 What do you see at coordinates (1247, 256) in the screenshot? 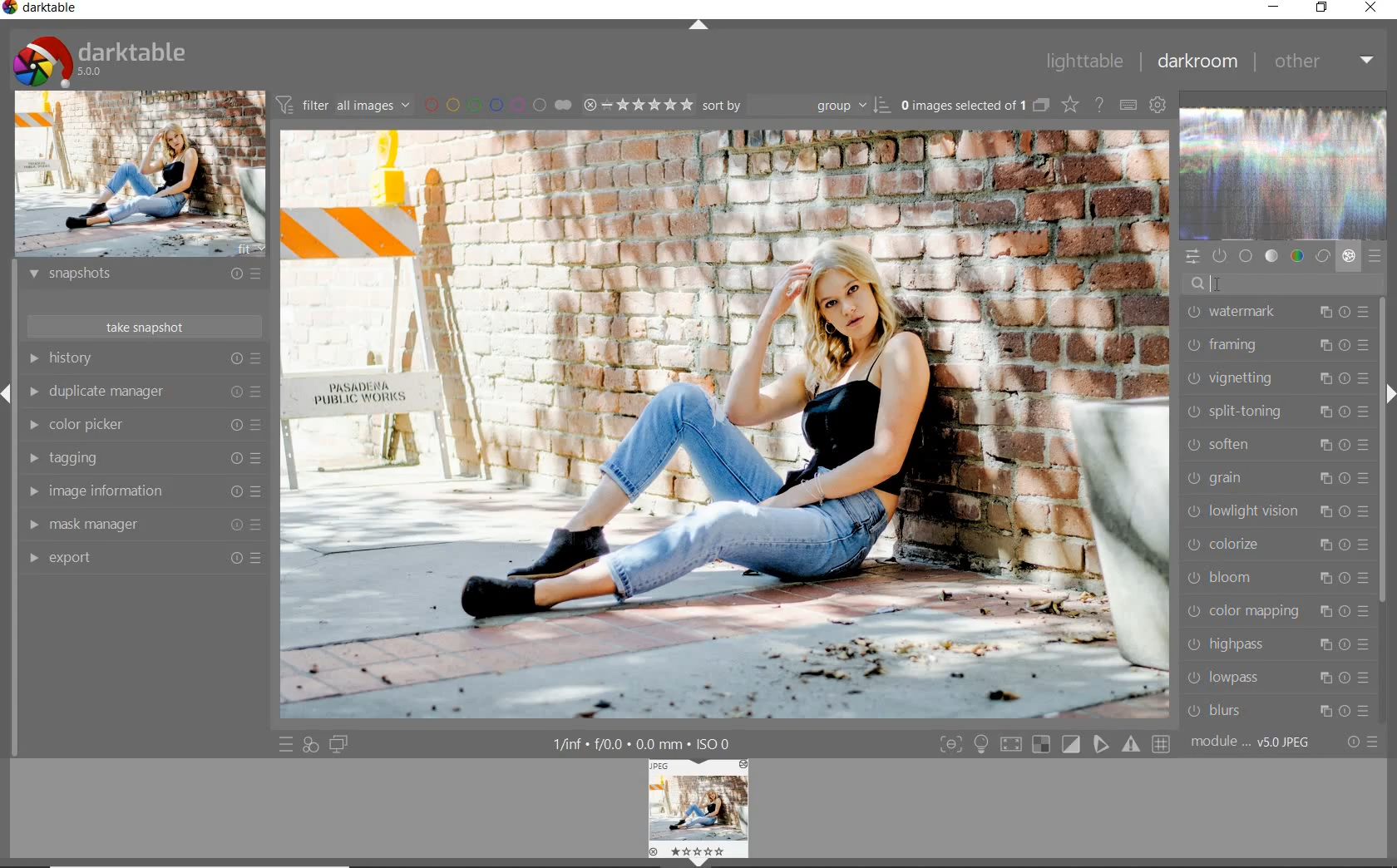
I see `base` at bounding box center [1247, 256].